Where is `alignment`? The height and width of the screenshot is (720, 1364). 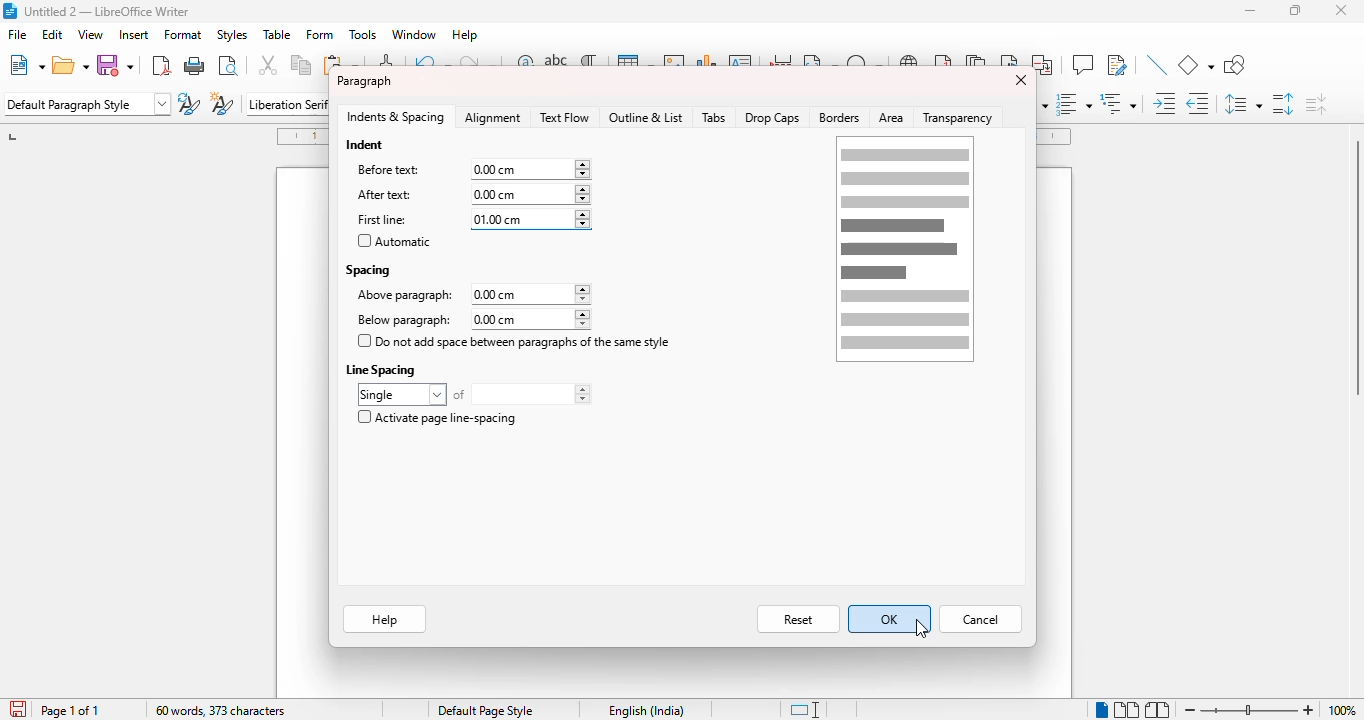 alignment is located at coordinates (494, 118).